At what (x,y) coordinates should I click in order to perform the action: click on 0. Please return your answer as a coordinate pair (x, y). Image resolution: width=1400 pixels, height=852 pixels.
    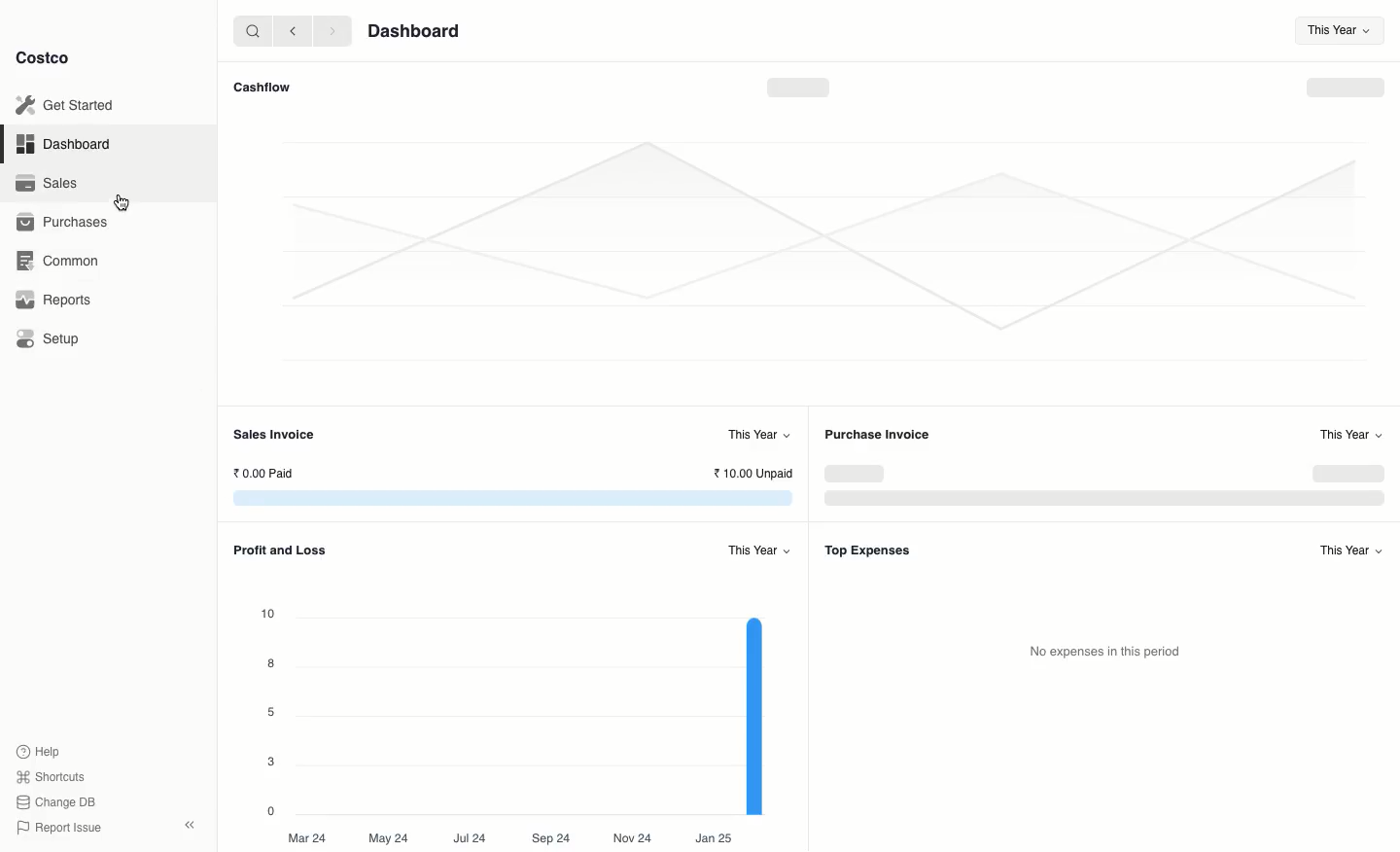
    Looking at the image, I should click on (269, 806).